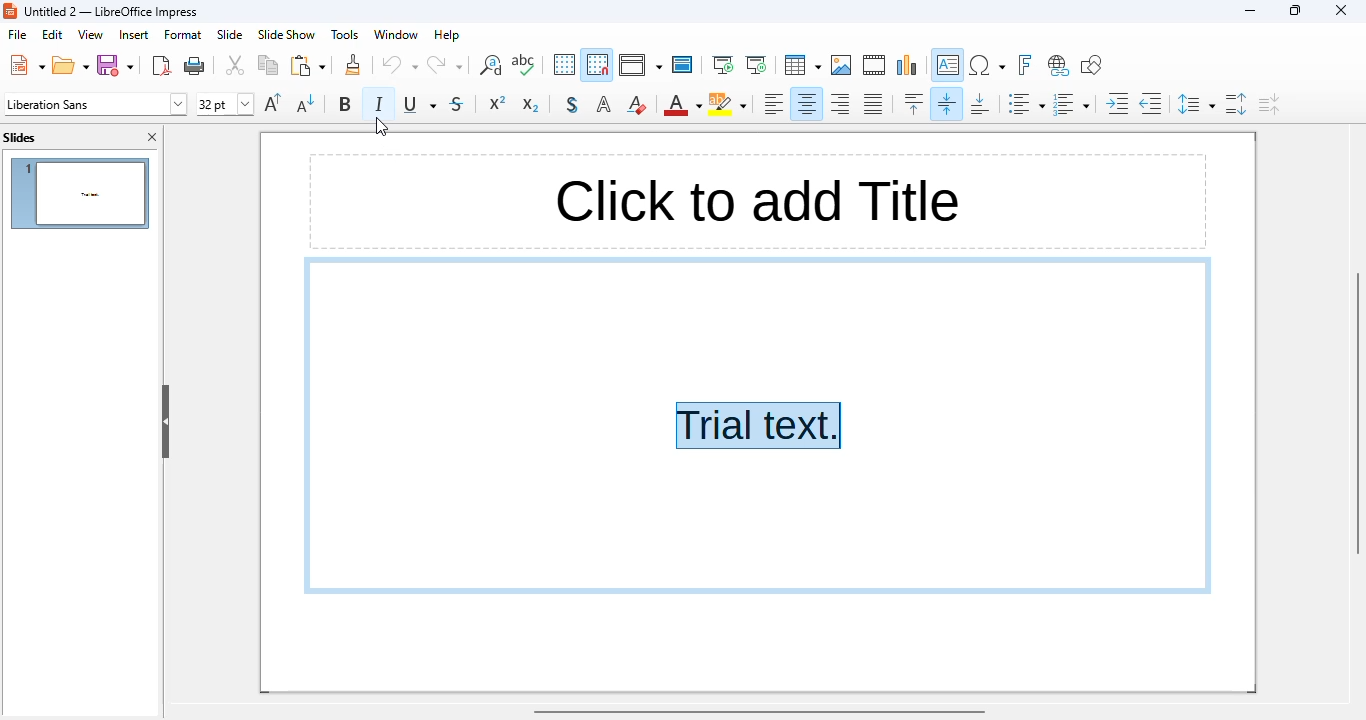 This screenshot has width=1366, height=720. I want to click on close pane, so click(152, 137).